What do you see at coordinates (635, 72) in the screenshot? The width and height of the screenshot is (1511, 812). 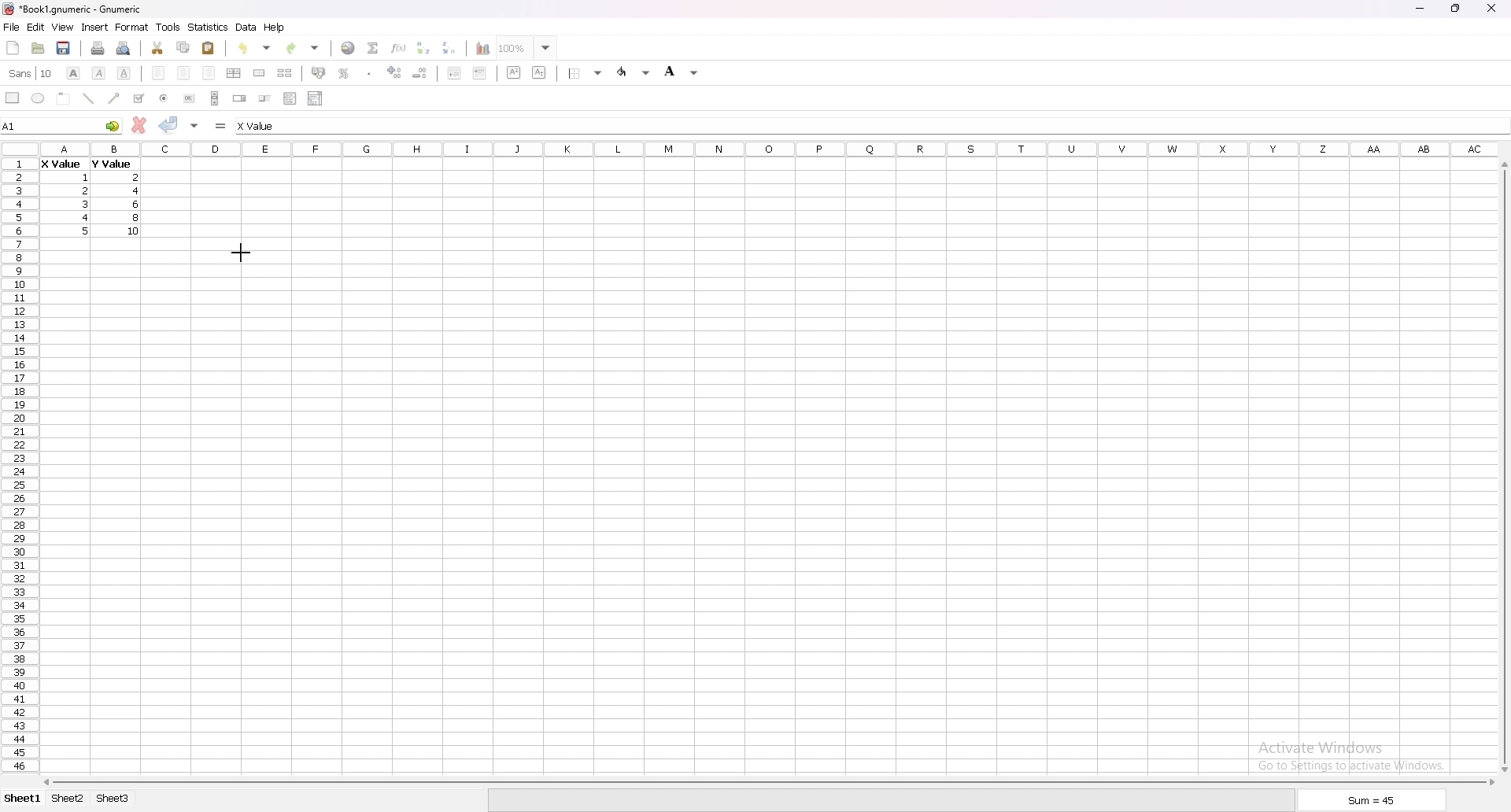 I see `foreground` at bounding box center [635, 72].